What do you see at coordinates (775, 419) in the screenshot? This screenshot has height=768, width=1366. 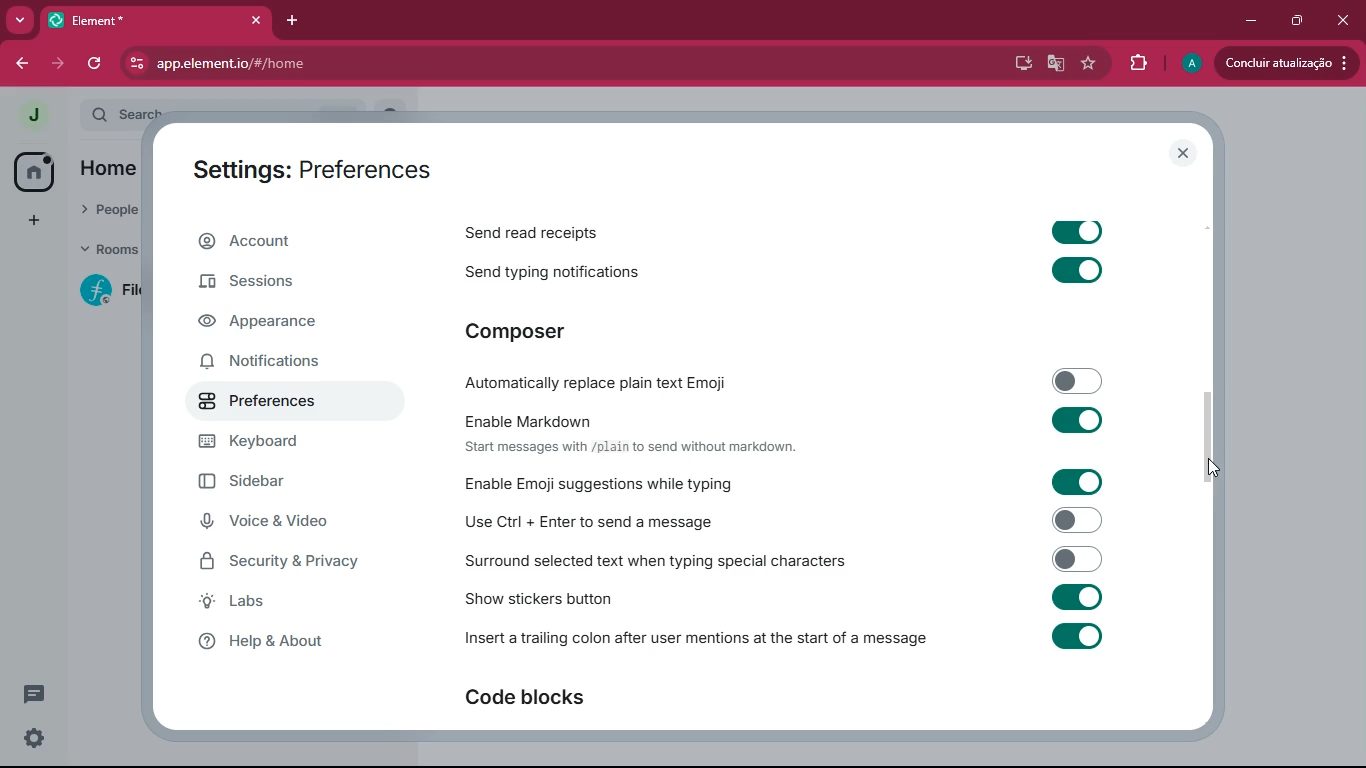 I see `Enable Markdown` at bounding box center [775, 419].